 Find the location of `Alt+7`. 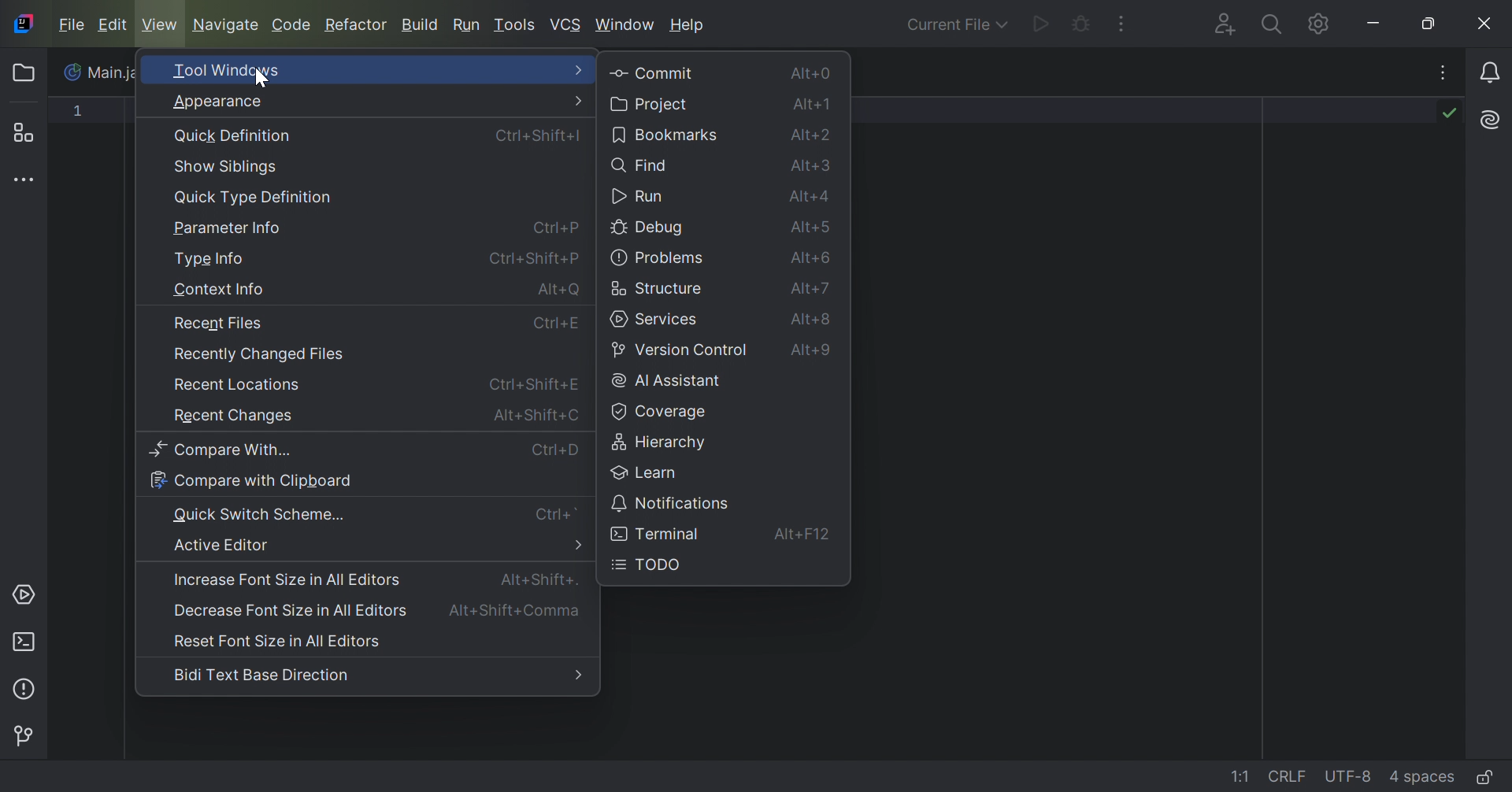

Alt+7 is located at coordinates (812, 291).